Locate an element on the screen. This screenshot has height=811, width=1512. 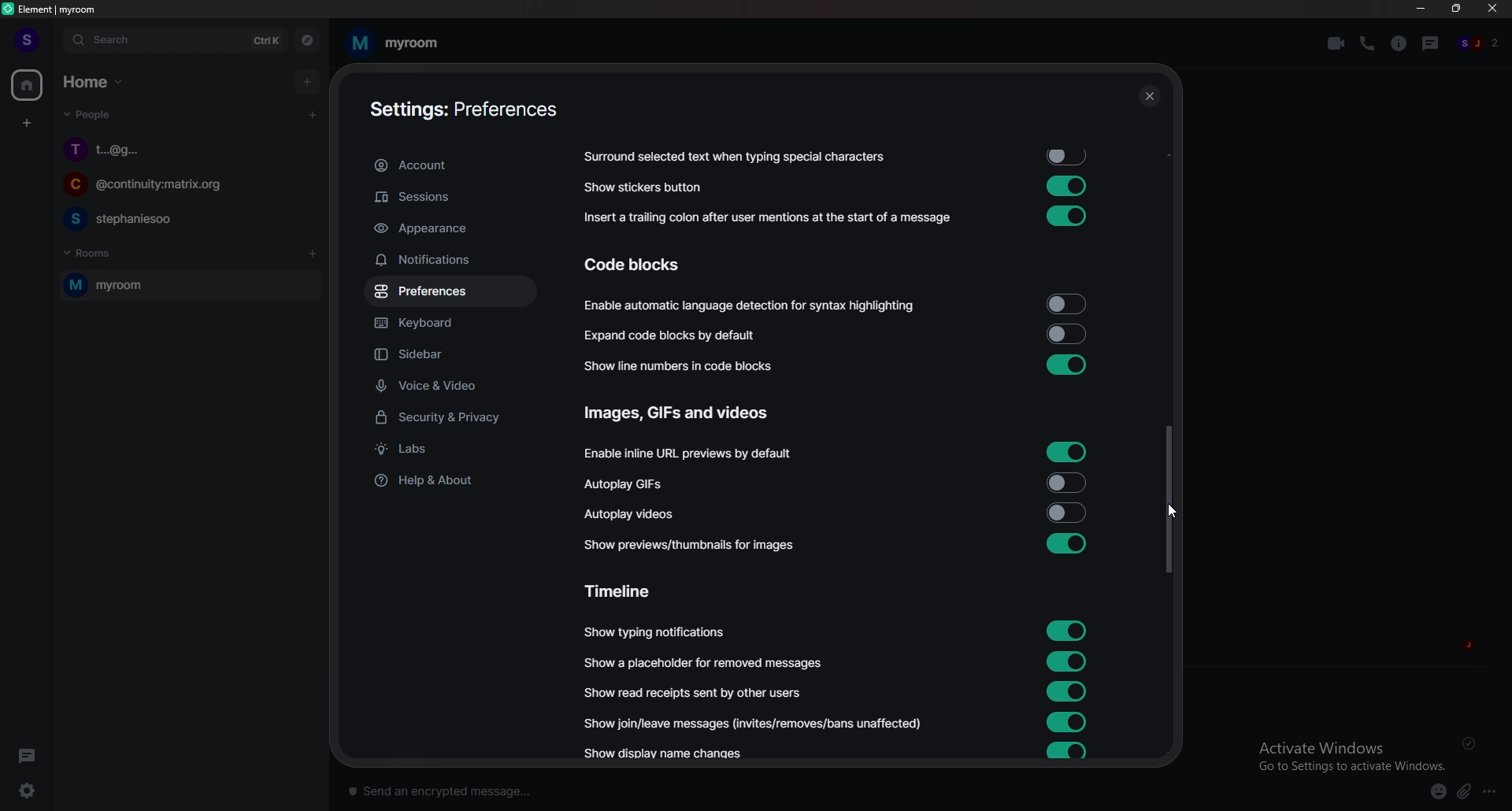
scroll bar is located at coordinates (1168, 499).